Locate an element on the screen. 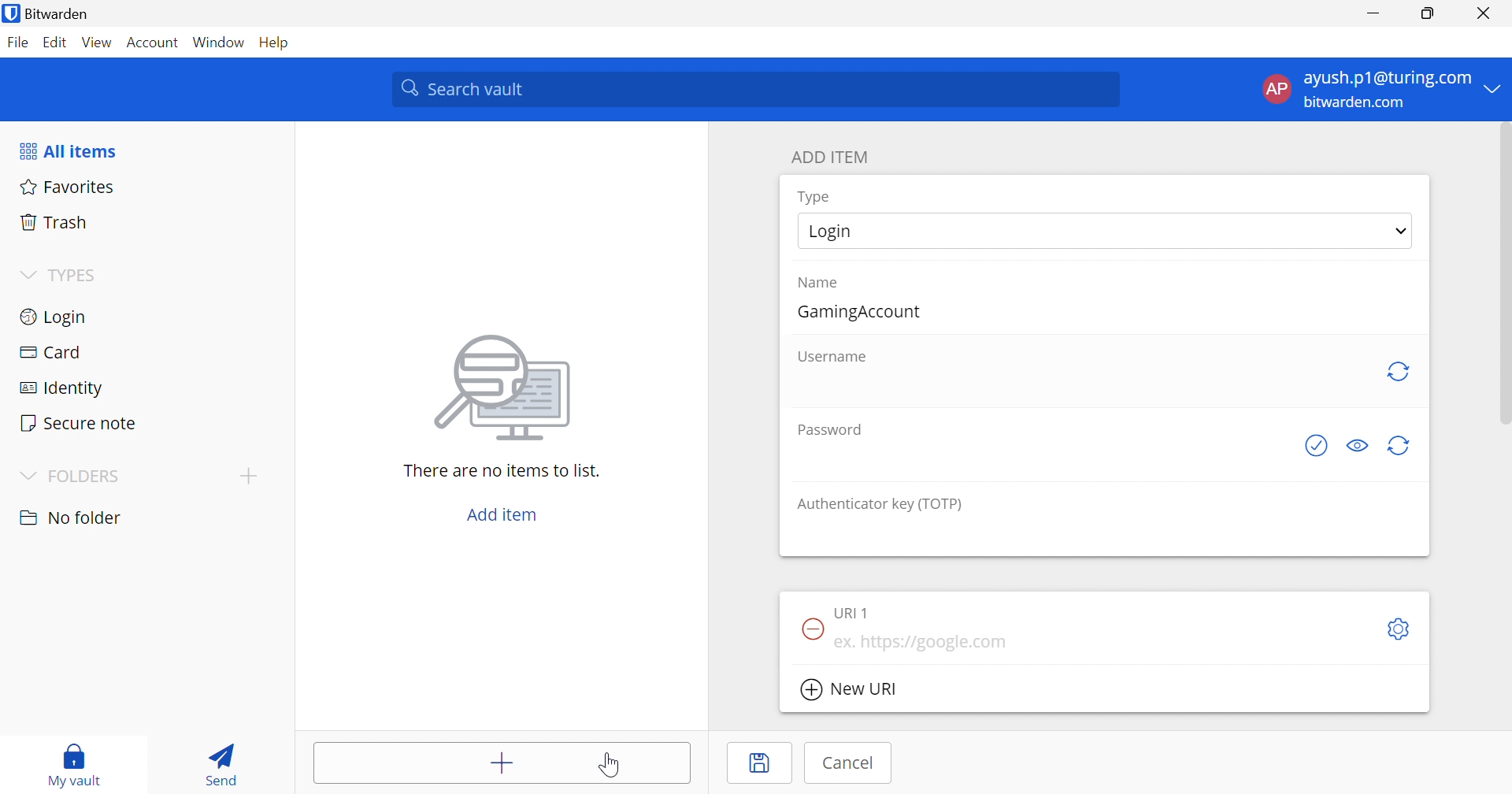 This screenshot has width=1512, height=794. Cursor is located at coordinates (609, 766).